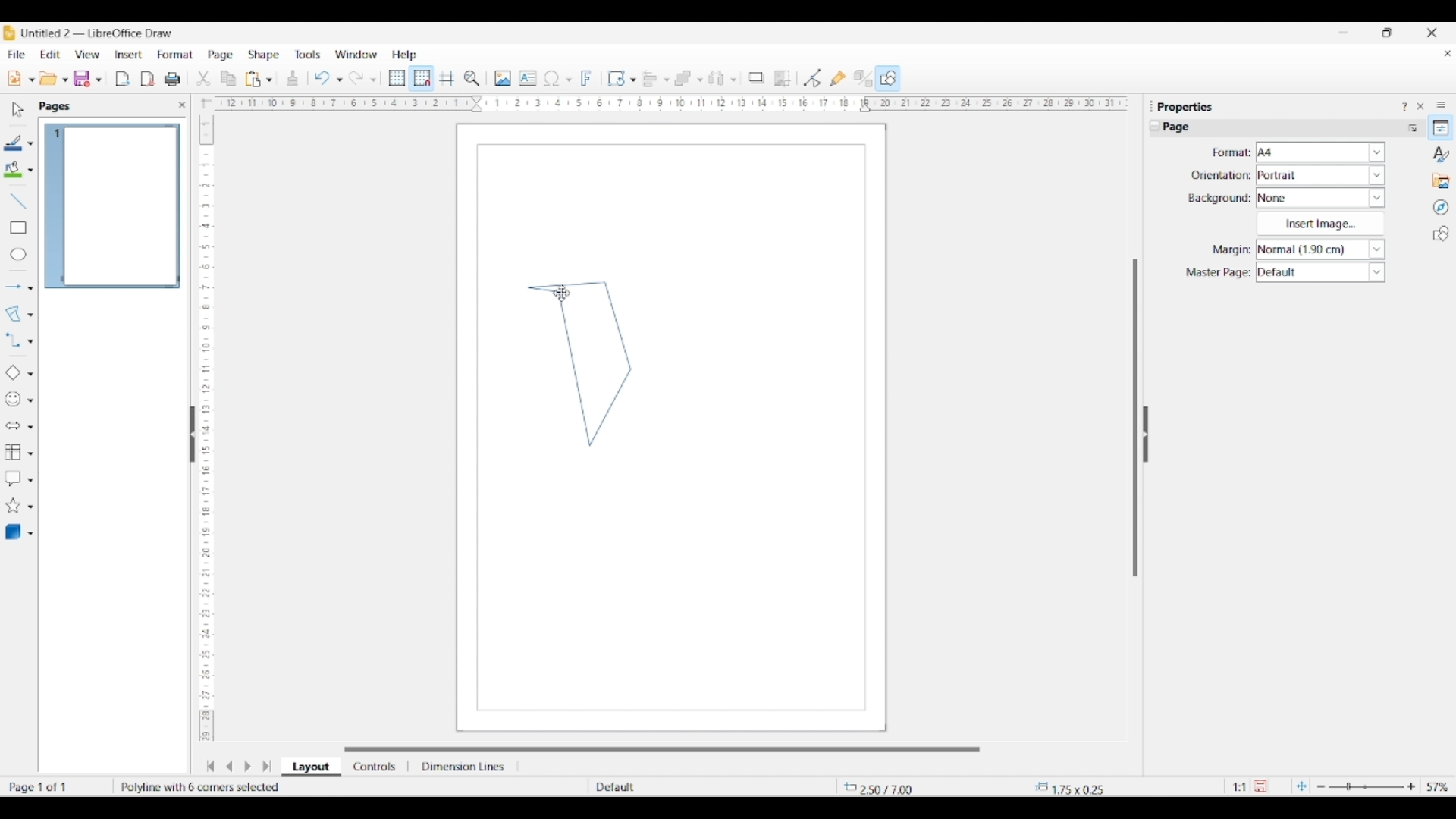 This screenshot has width=1456, height=819. What do you see at coordinates (221, 56) in the screenshot?
I see `Page` at bounding box center [221, 56].